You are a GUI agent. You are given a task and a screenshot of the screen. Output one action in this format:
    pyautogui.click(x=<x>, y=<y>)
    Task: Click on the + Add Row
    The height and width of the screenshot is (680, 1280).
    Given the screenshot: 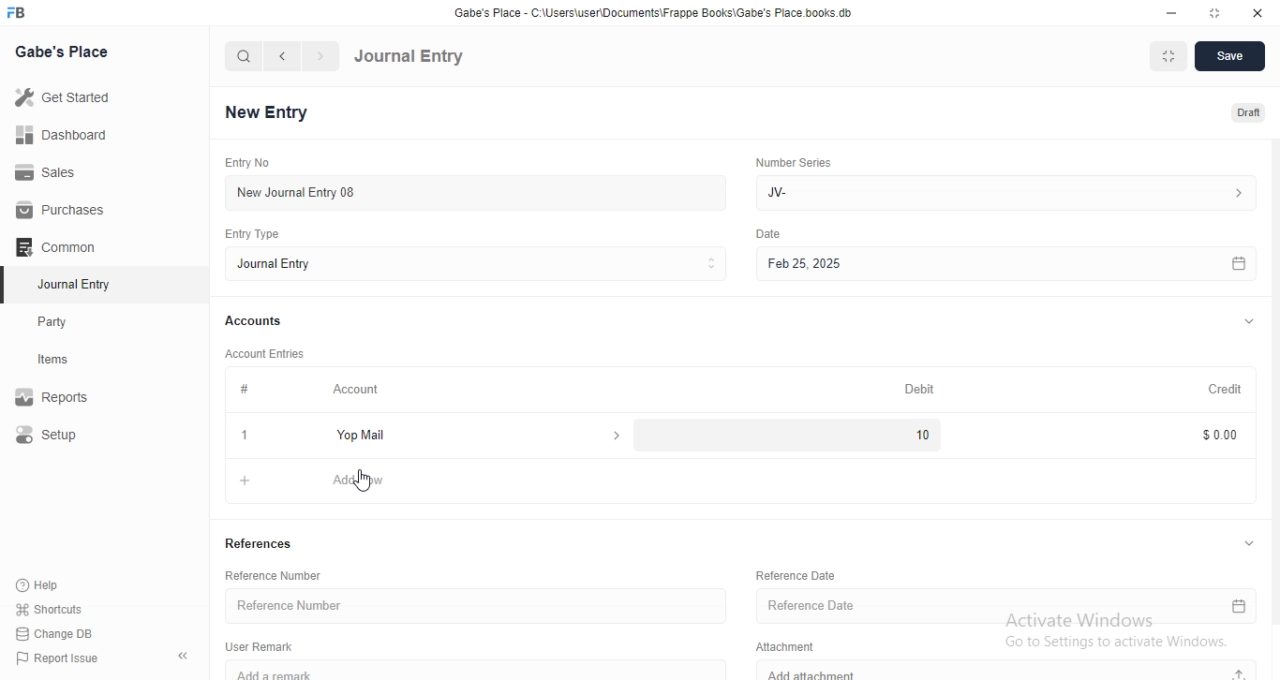 What is the action you would take?
    pyautogui.click(x=745, y=479)
    